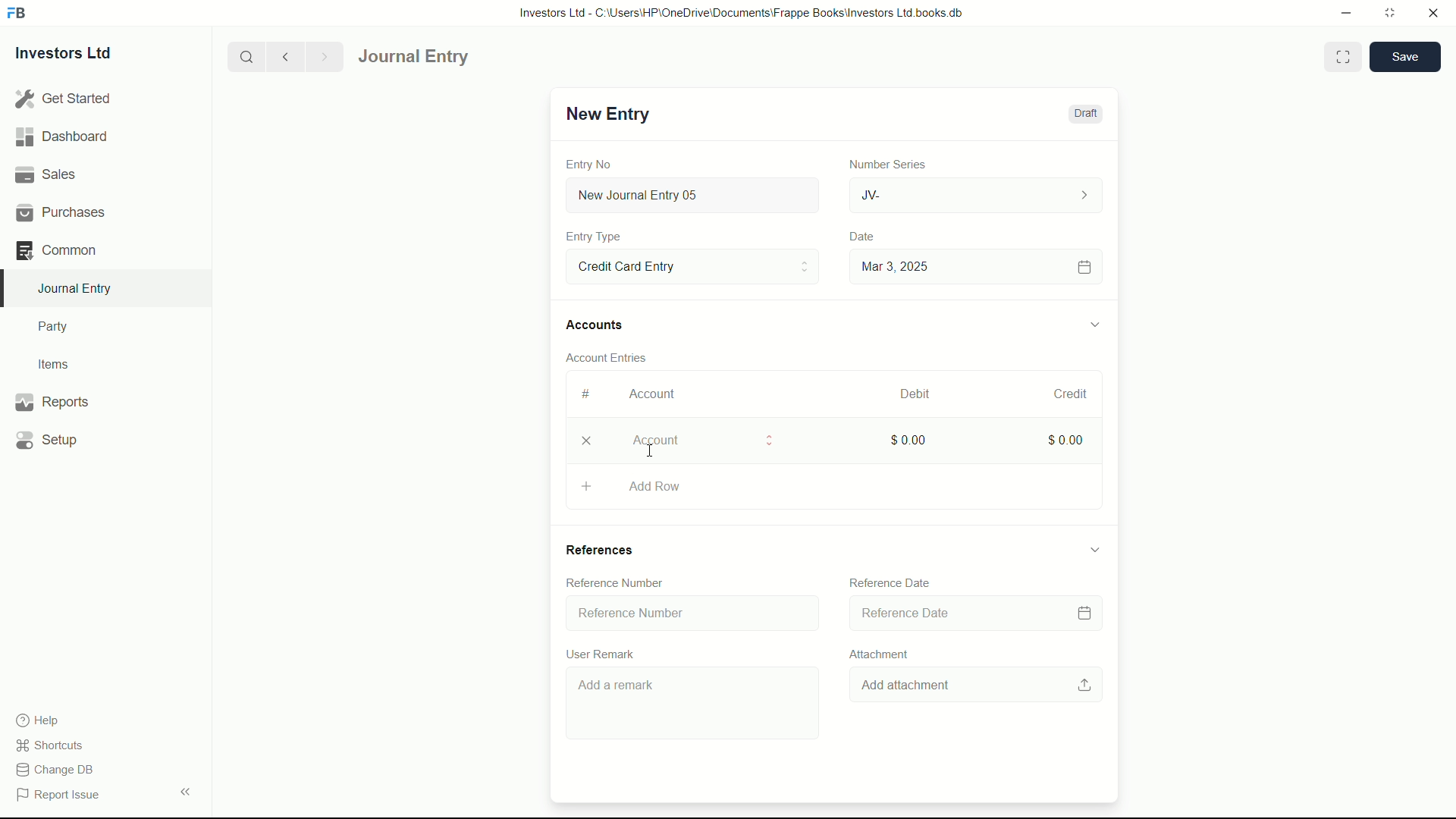  What do you see at coordinates (1434, 14) in the screenshot?
I see `close` at bounding box center [1434, 14].